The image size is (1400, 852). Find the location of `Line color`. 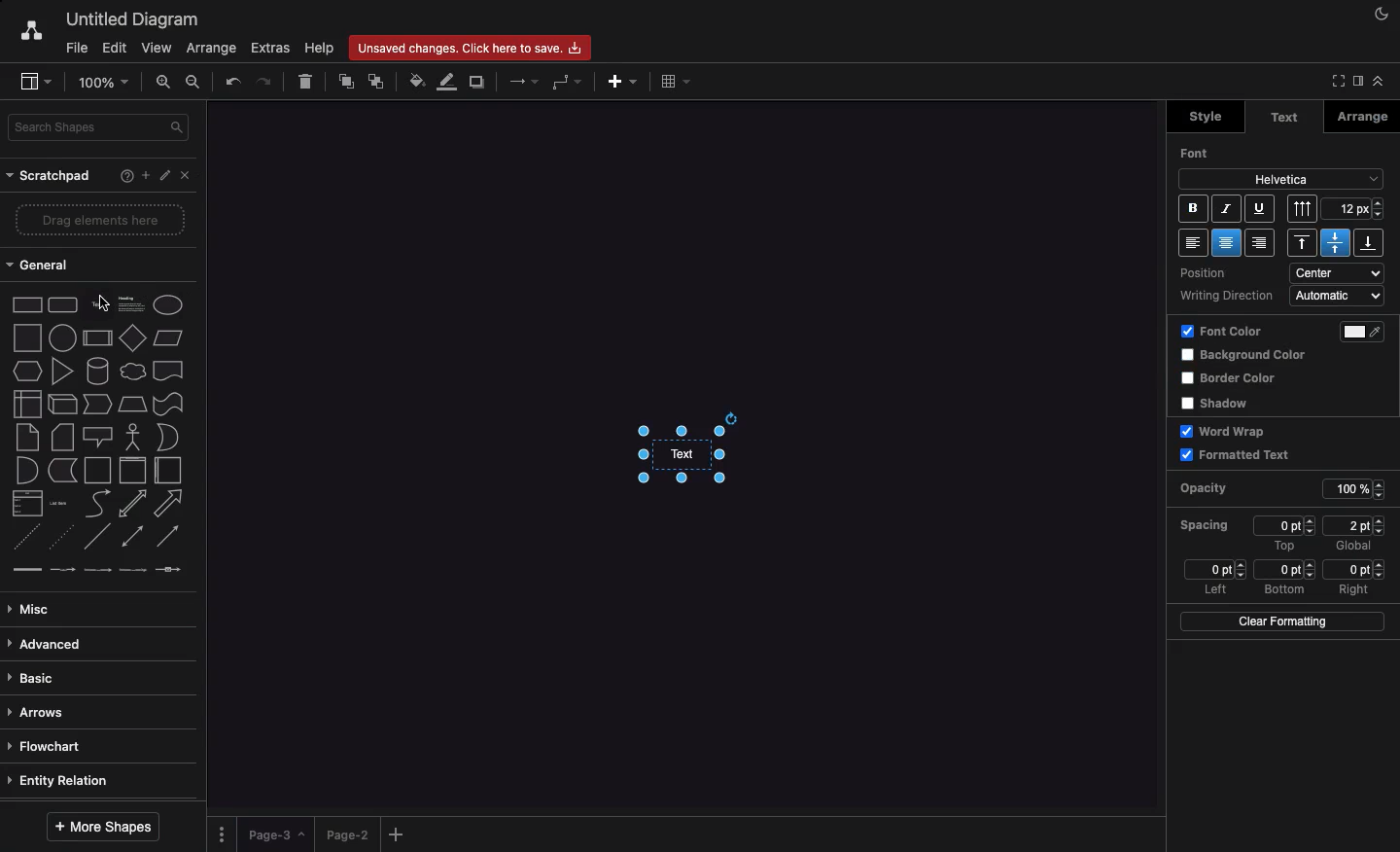

Line color is located at coordinates (444, 84).